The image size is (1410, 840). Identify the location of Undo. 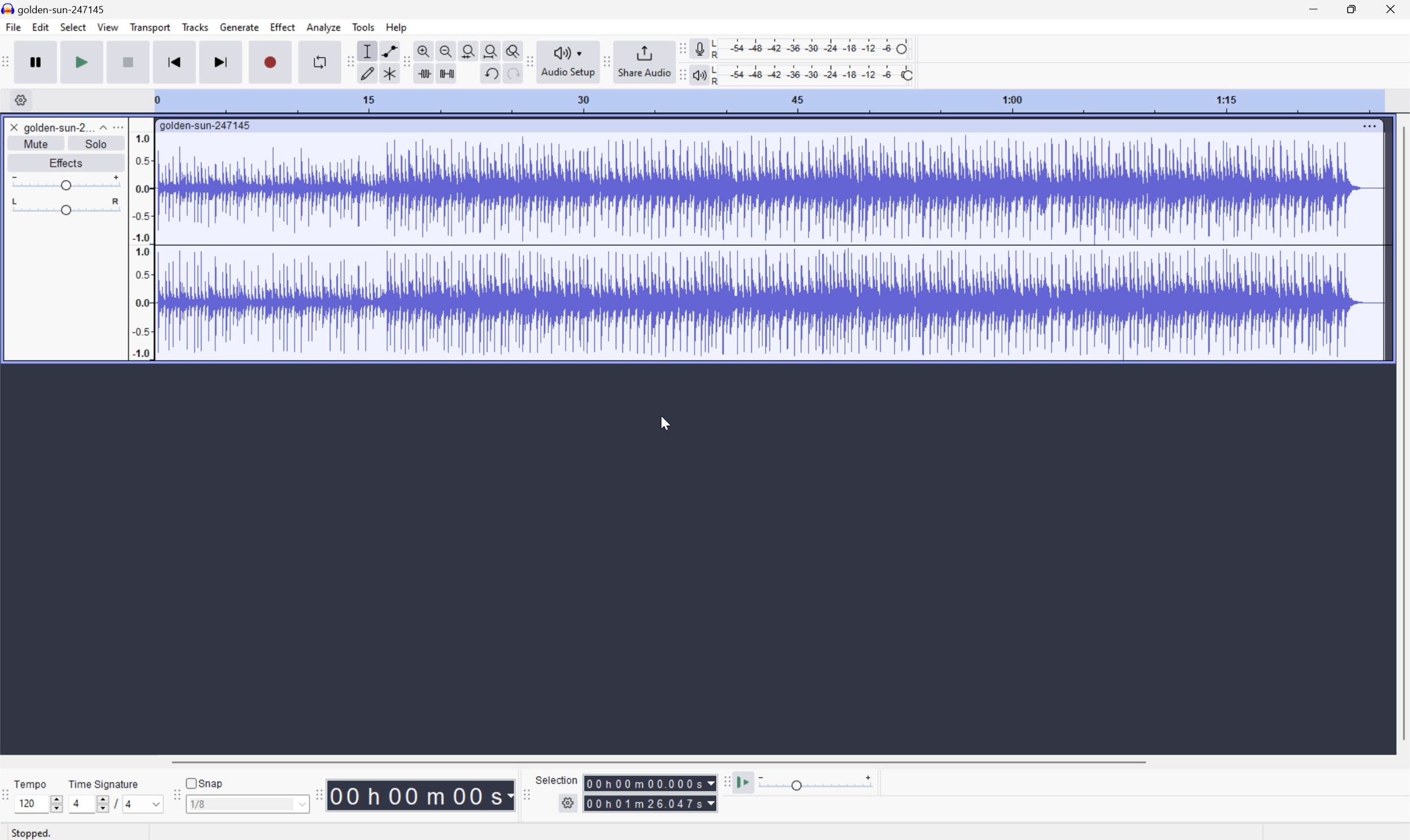
(492, 73).